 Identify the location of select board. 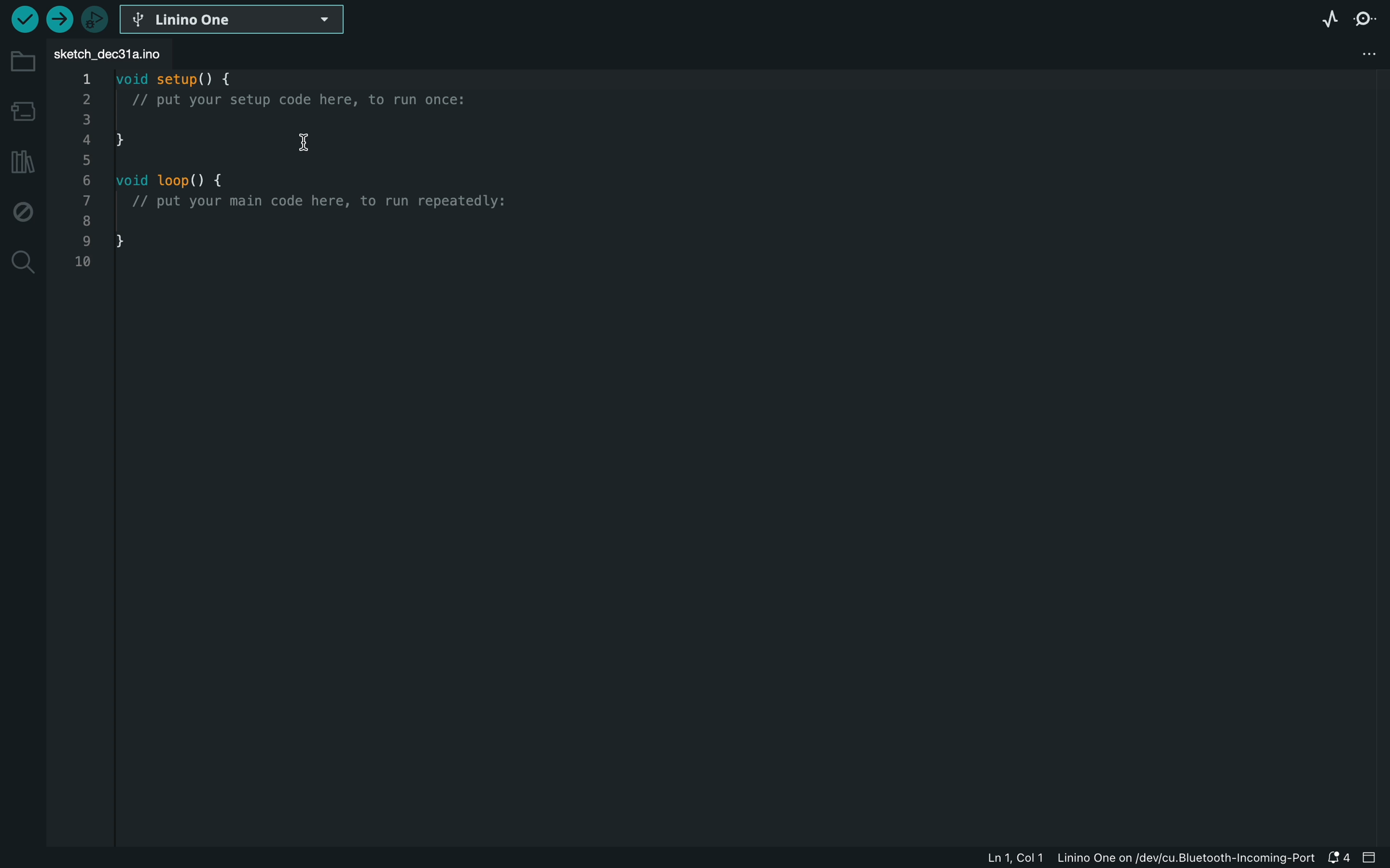
(240, 22).